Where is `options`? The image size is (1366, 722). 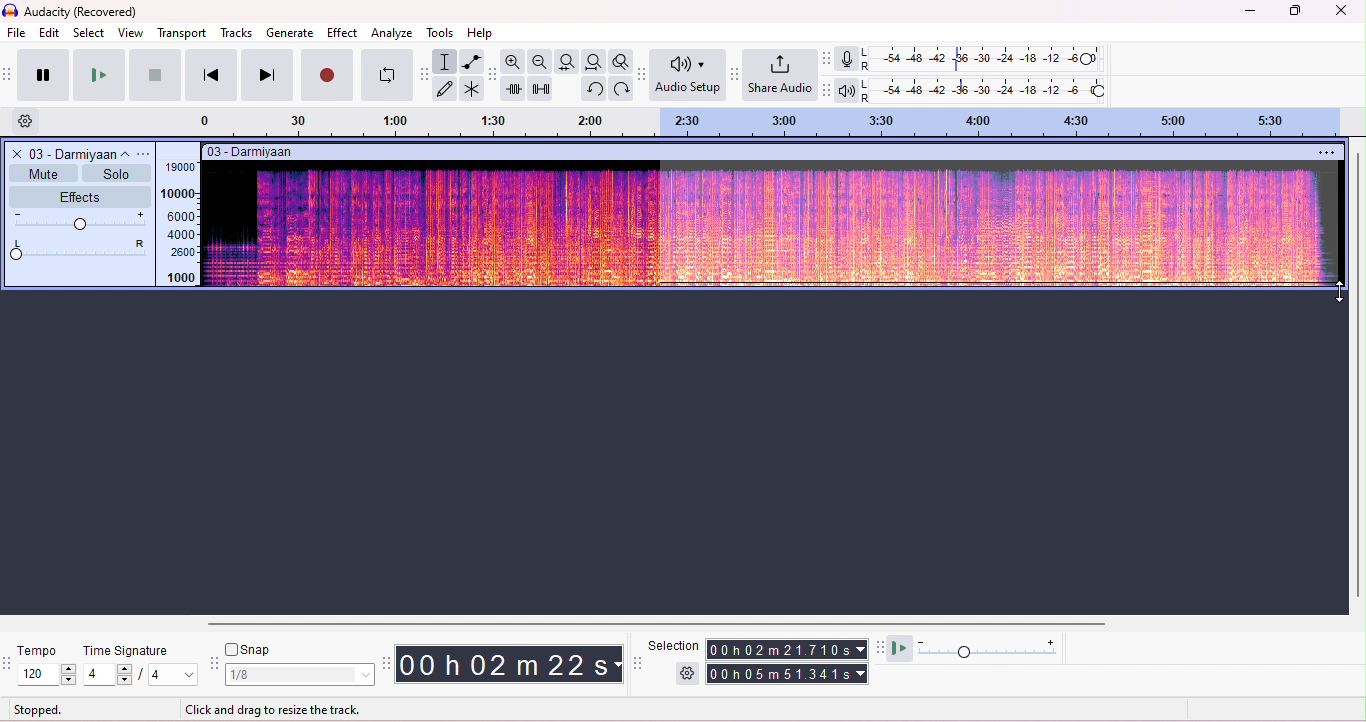 options is located at coordinates (147, 153).